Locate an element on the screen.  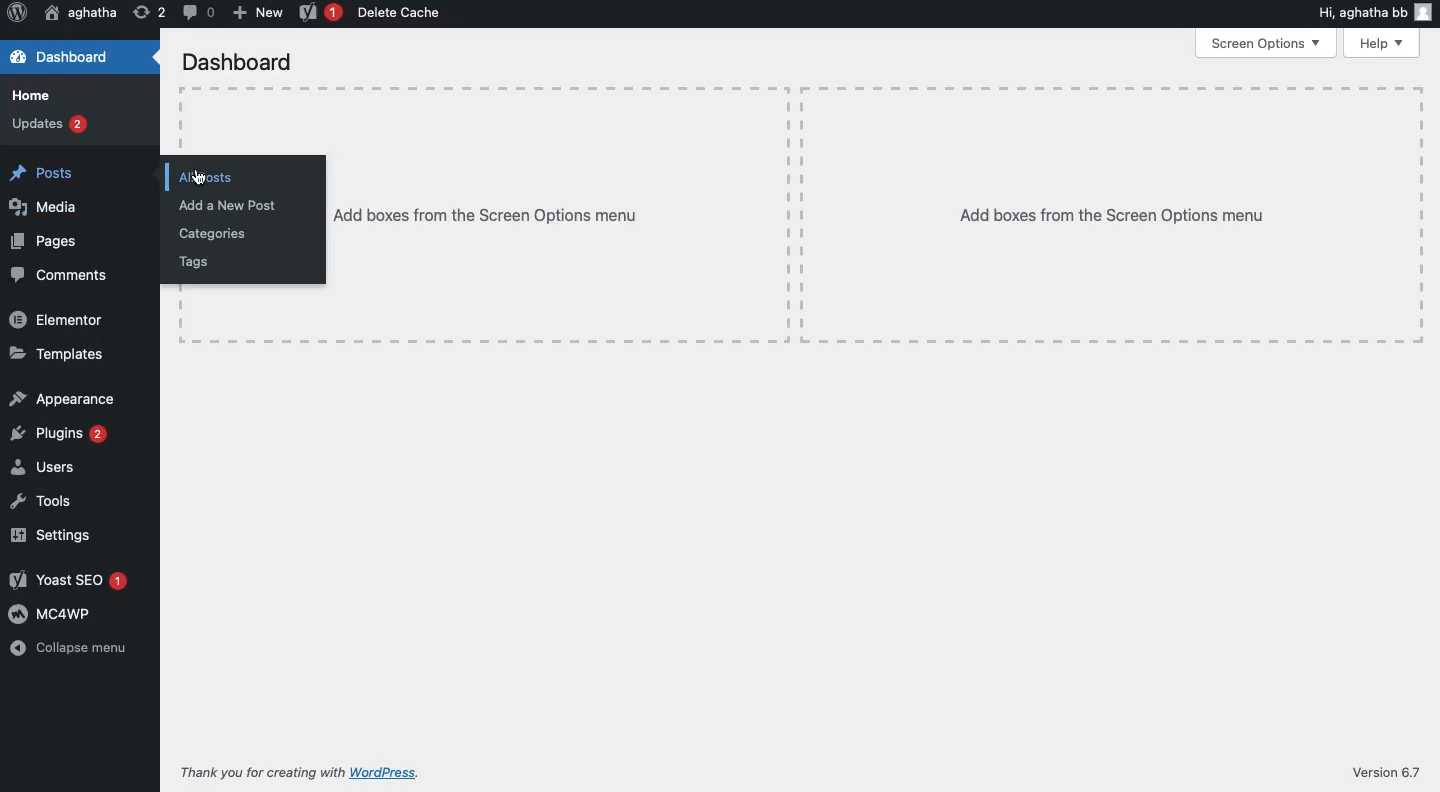
Comments is located at coordinates (62, 274).